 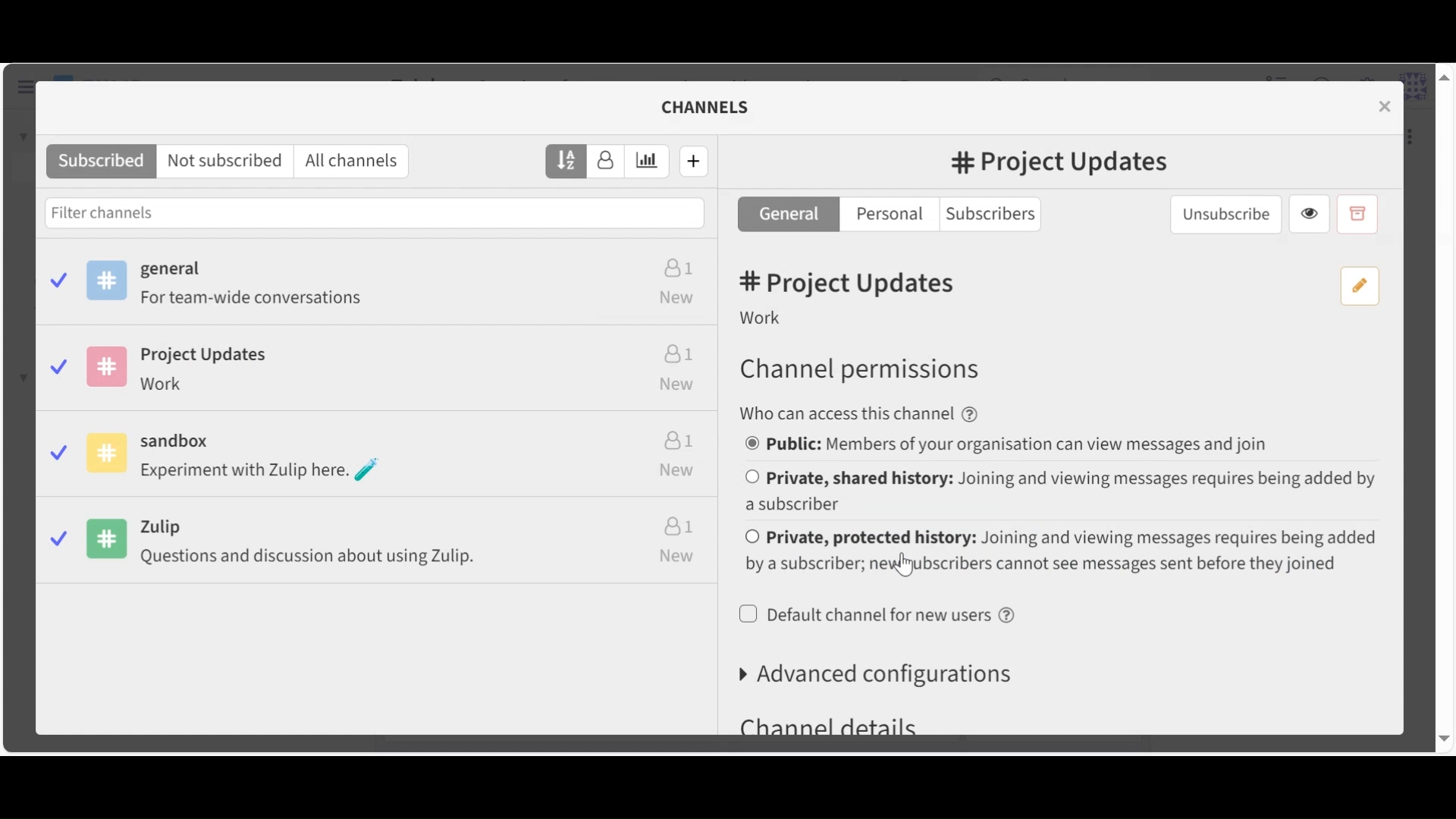 I want to click on project progress, so click(x=380, y=366).